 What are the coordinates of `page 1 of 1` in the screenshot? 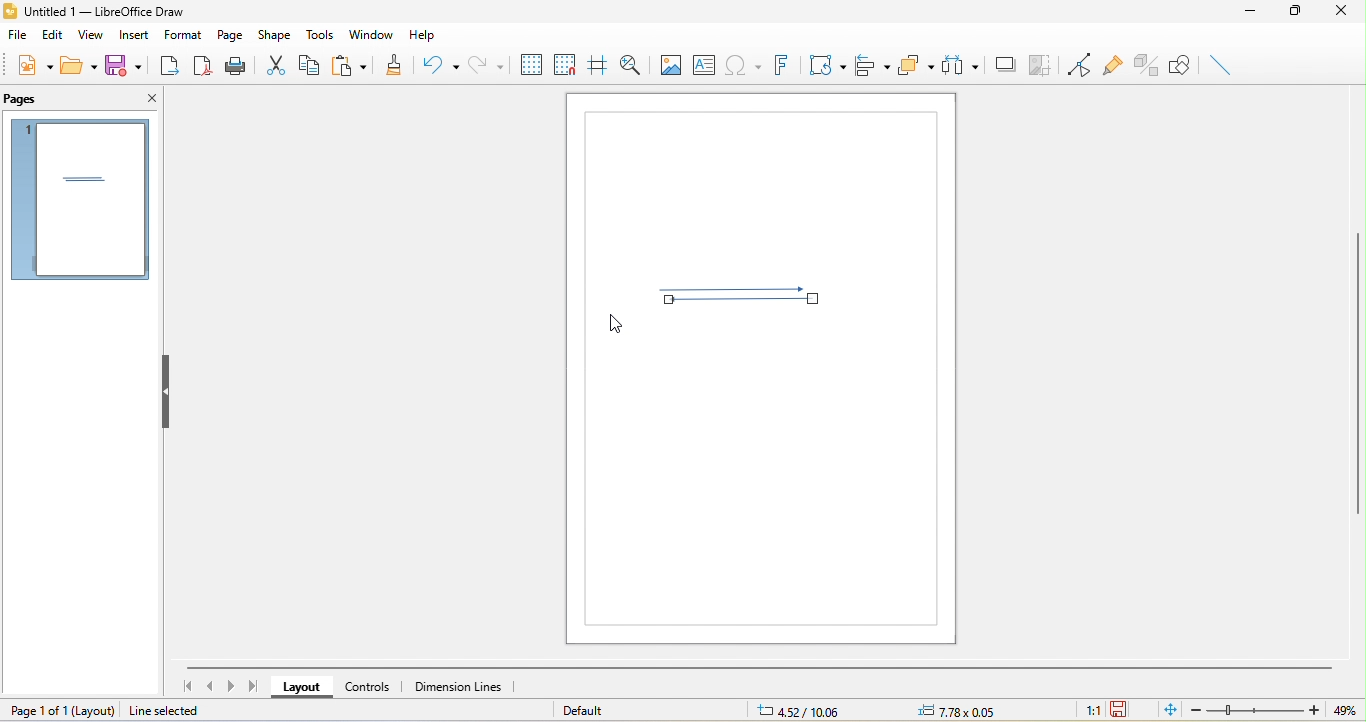 It's located at (63, 710).